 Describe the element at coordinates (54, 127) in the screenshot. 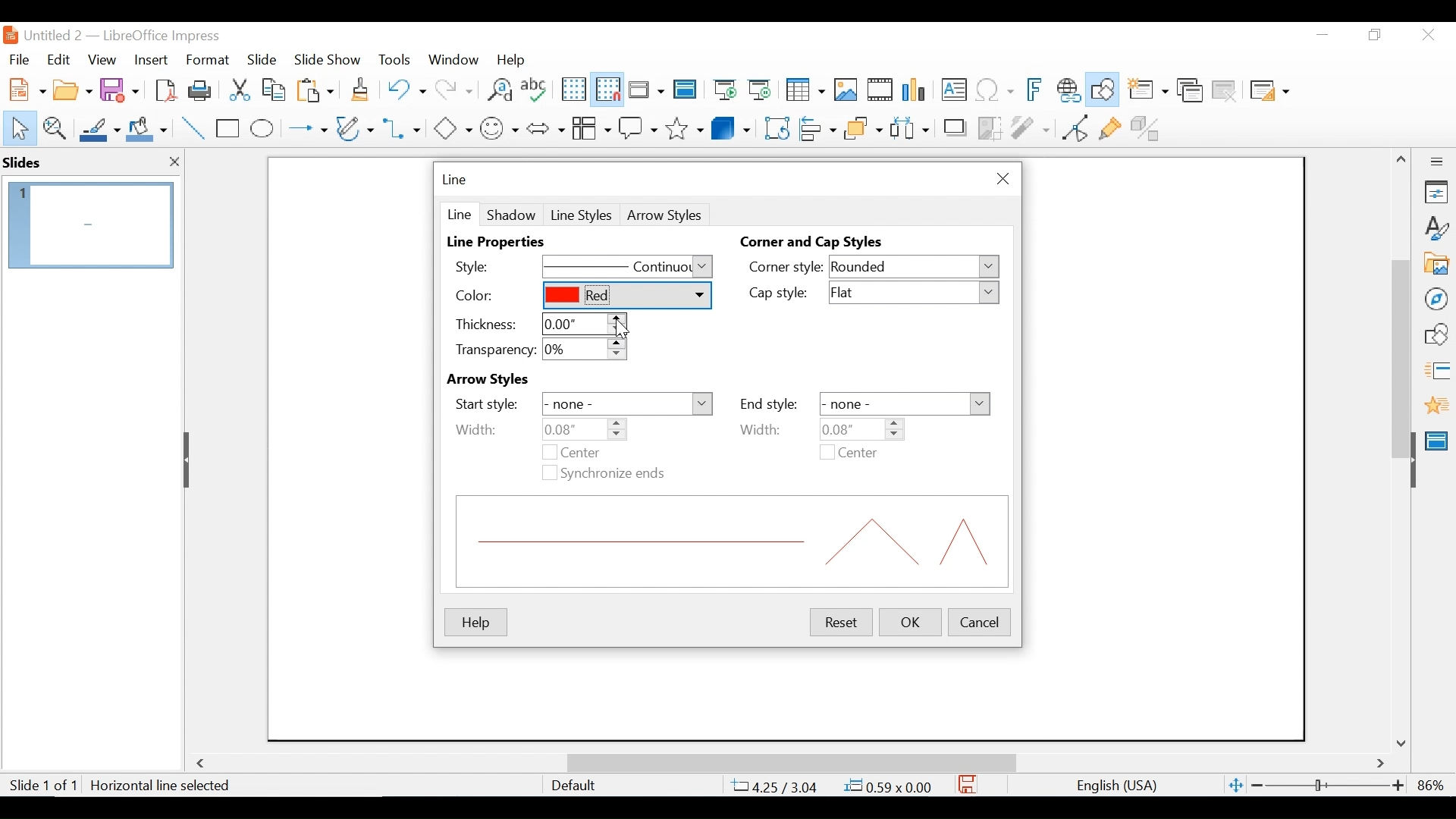

I see `Zoom & Pan` at that location.